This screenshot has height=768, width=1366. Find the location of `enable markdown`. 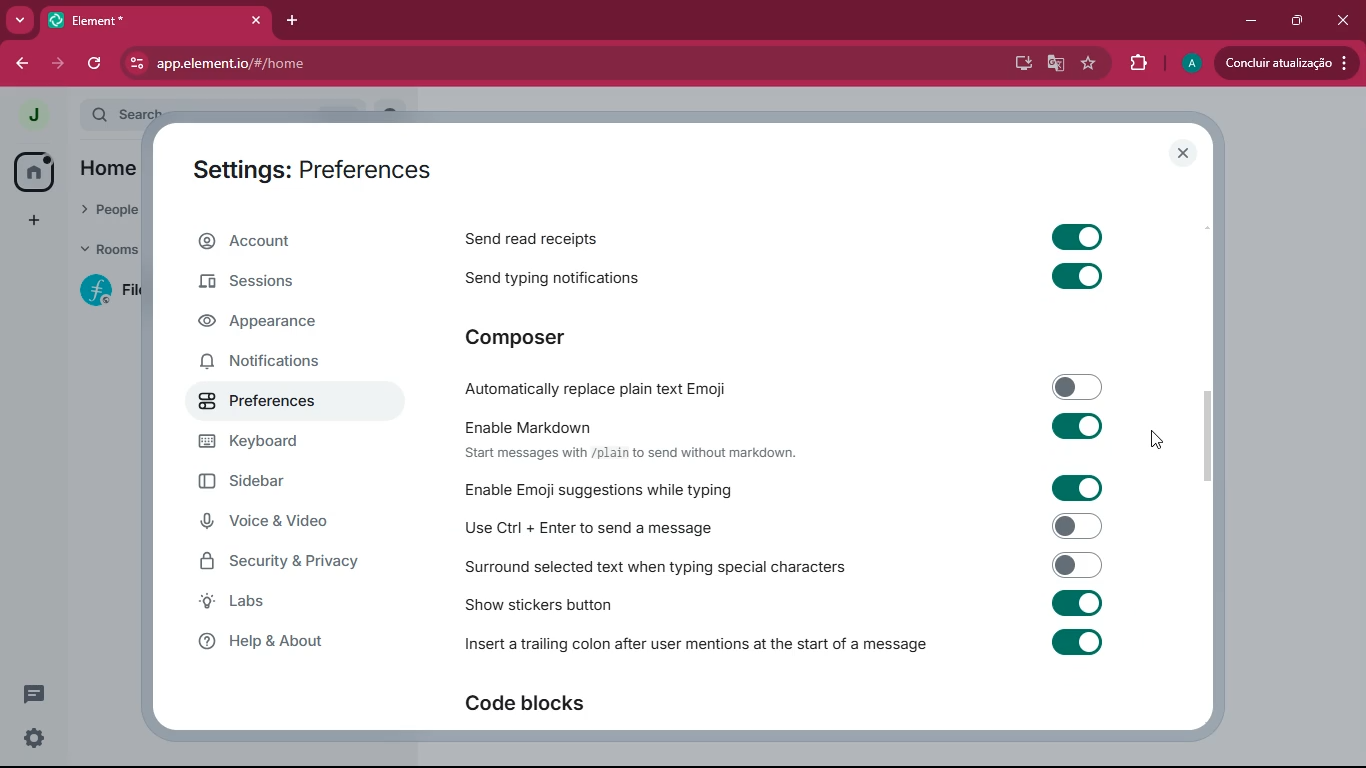

enable markdown is located at coordinates (528, 425).